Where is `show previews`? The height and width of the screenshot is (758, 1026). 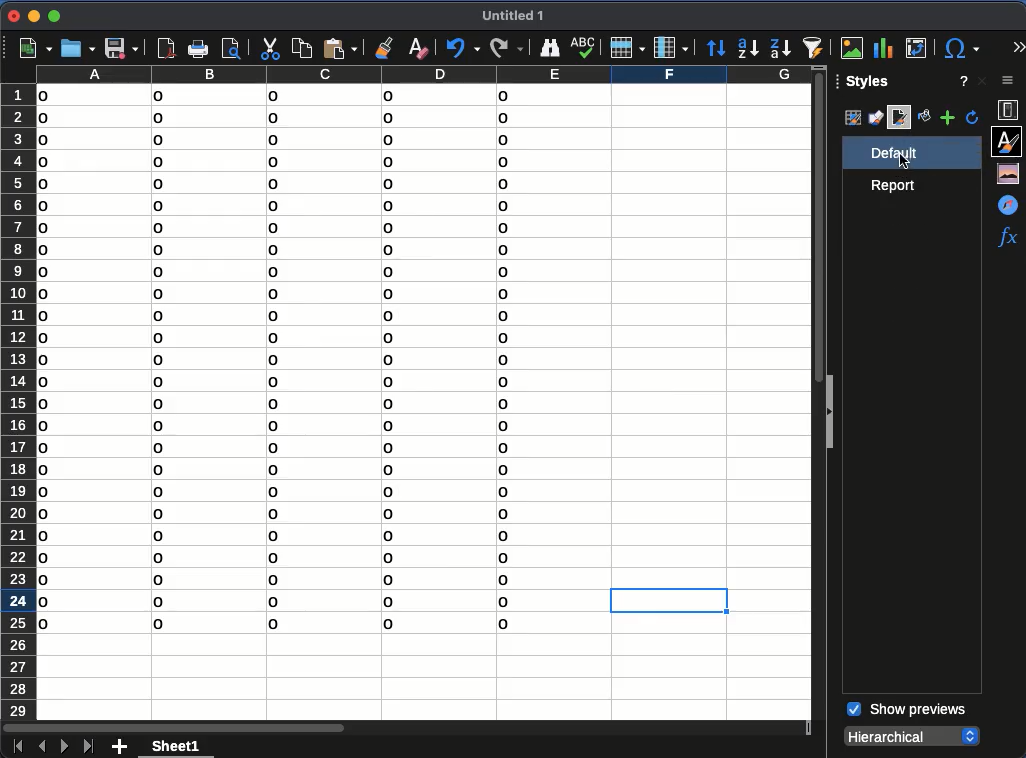
show previews is located at coordinates (905, 710).